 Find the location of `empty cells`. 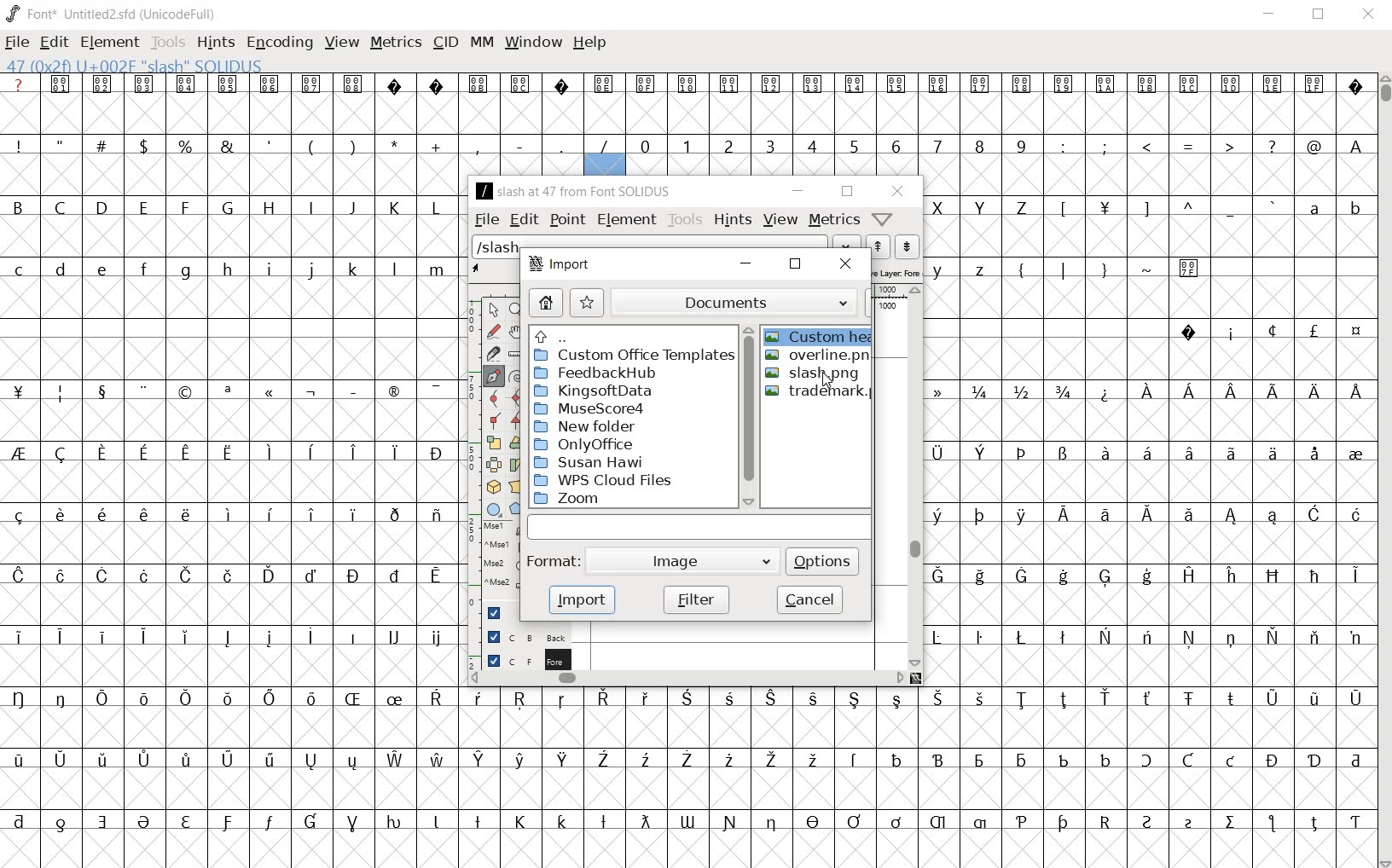

empty cells is located at coordinates (684, 726).